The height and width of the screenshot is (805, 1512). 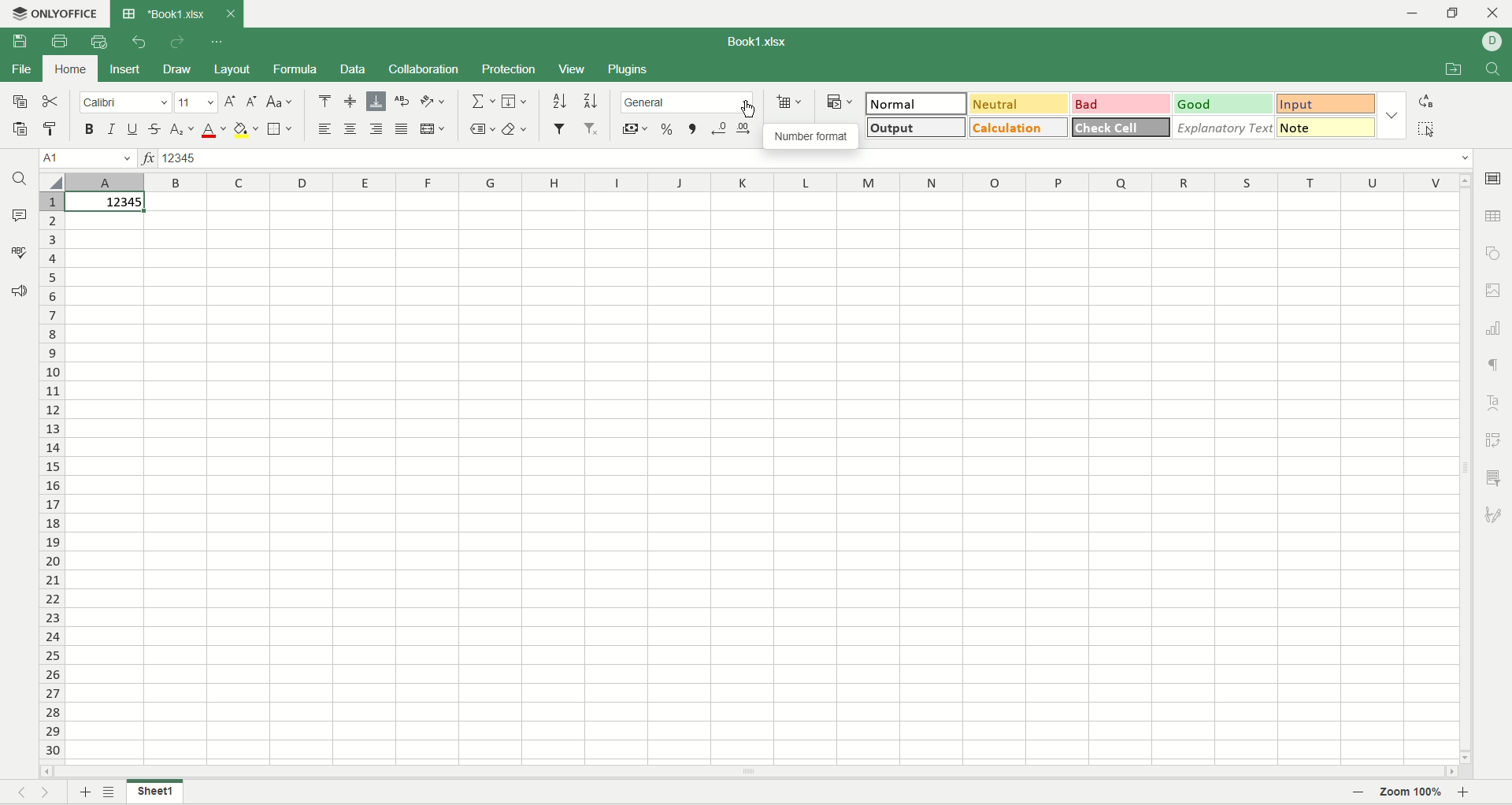 I want to click on spell check, so click(x=17, y=252).